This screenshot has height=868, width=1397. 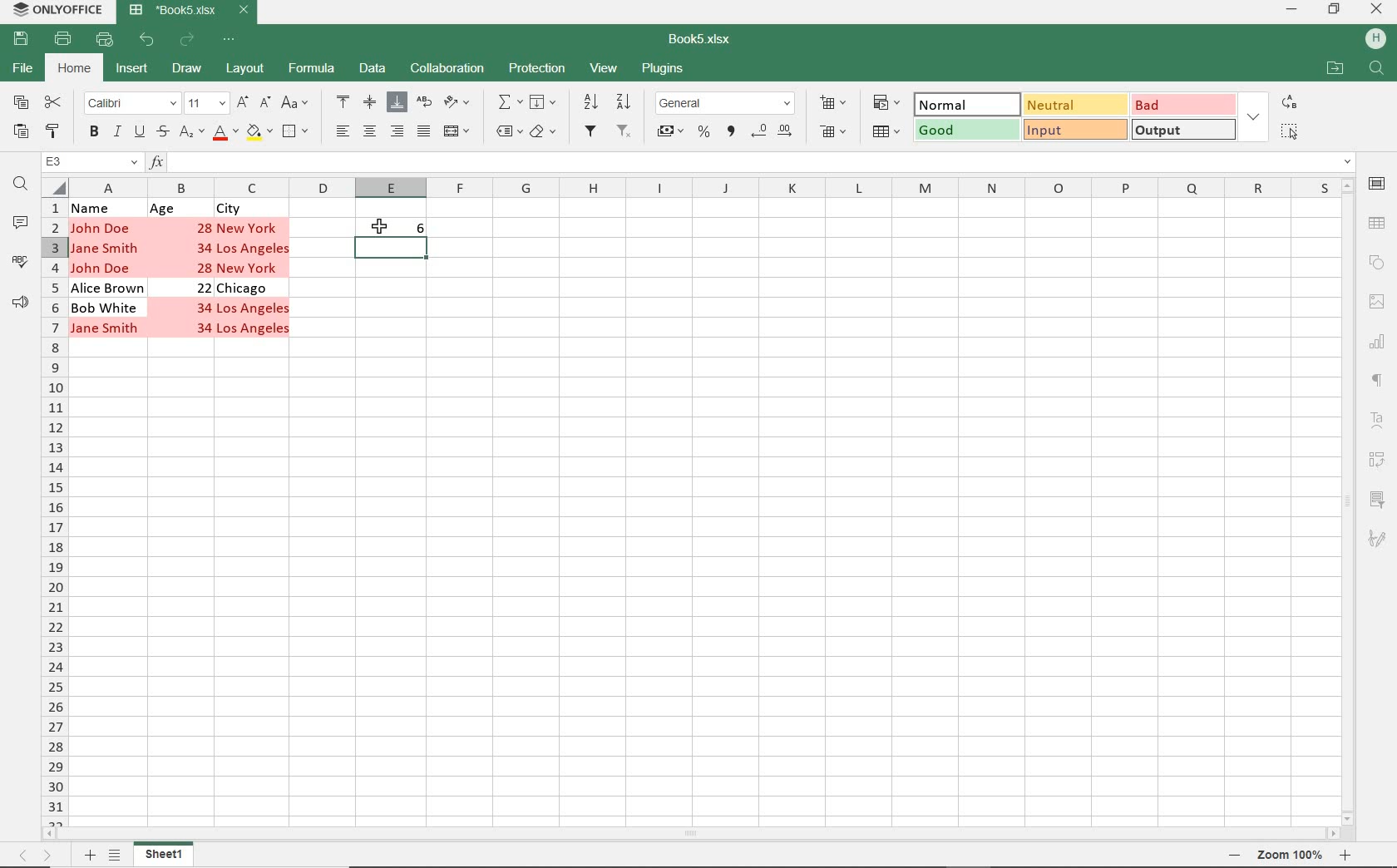 I want to click on COLLABORATION, so click(x=447, y=69).